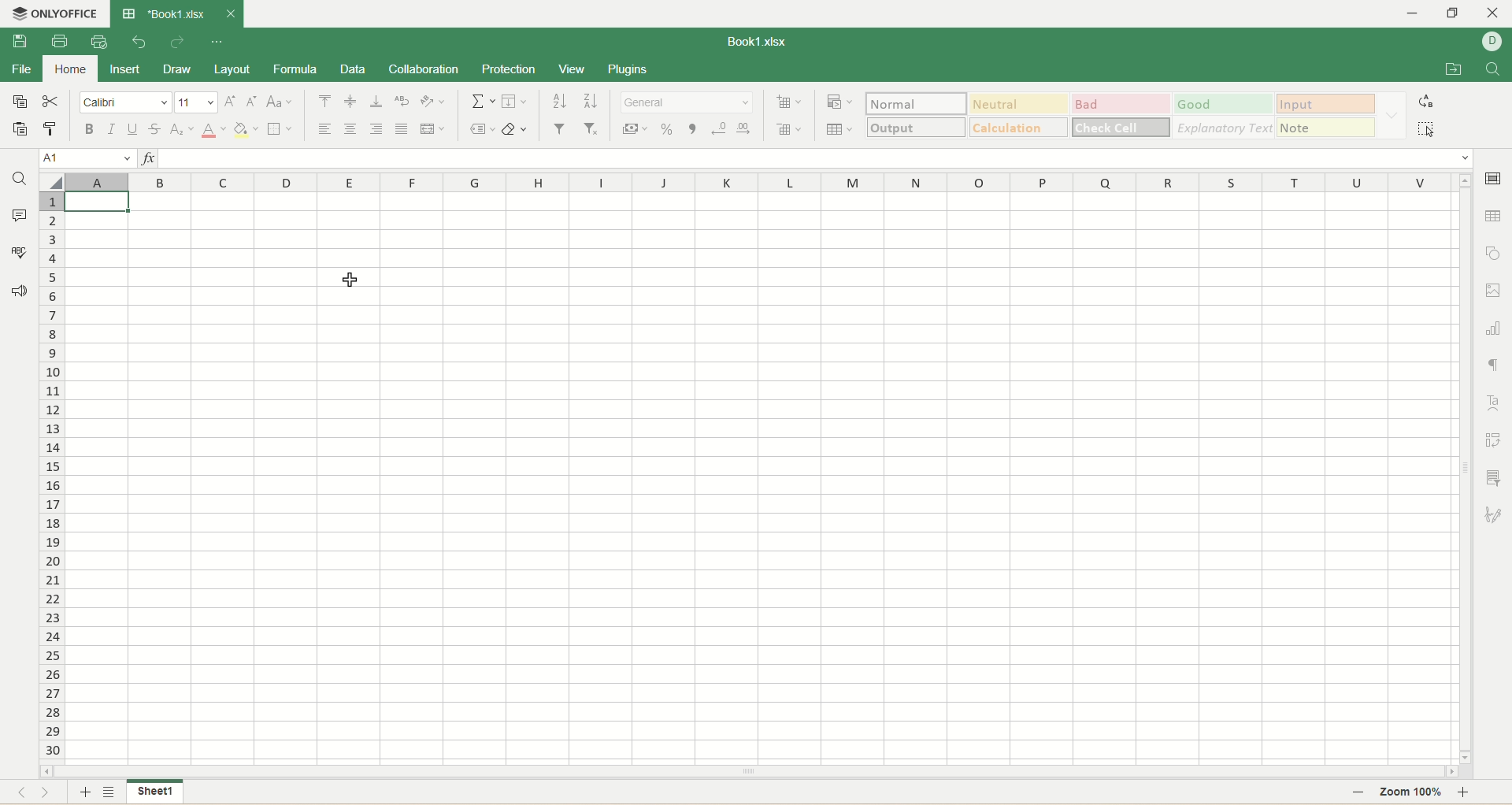 This screenshot has width=1512, height=805. What do you see at coordinates (747, 772) in the screenshot?
I see `horizontal scroll` at bounding box center [747, 772].